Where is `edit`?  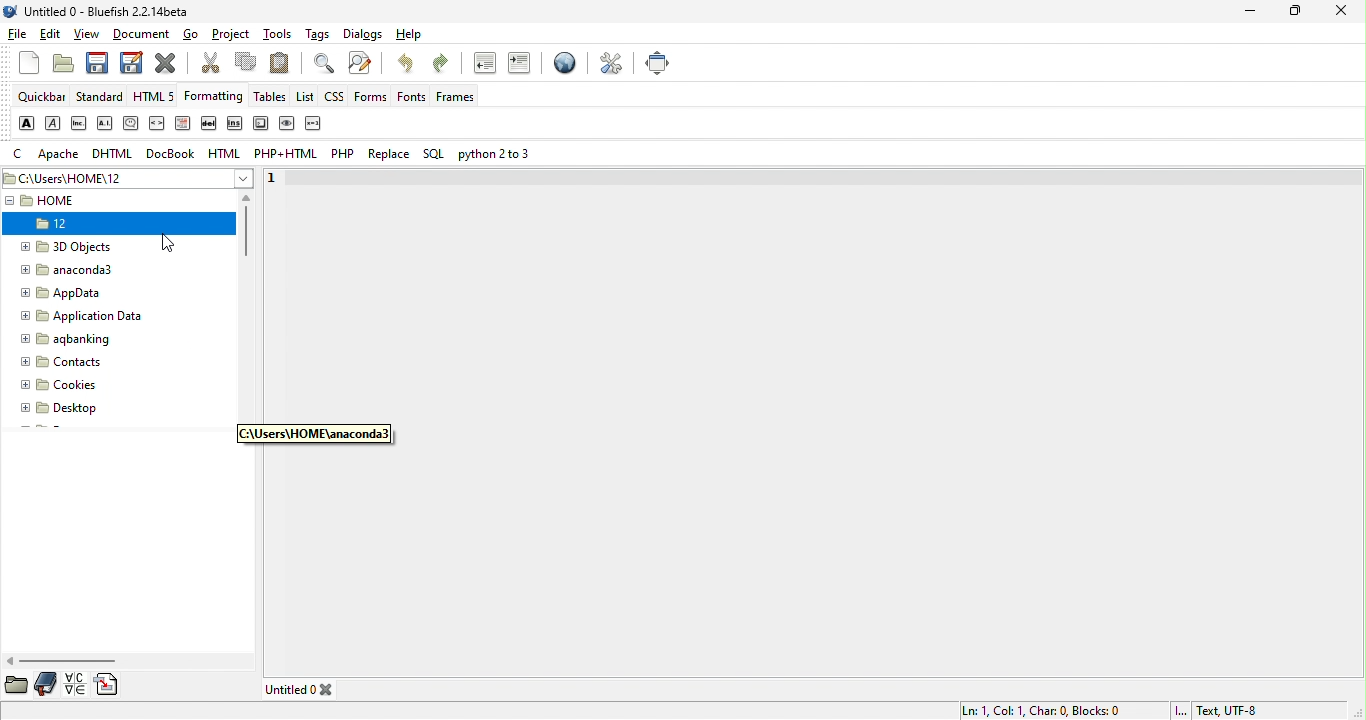
edit is located at coordinates (52, 35).